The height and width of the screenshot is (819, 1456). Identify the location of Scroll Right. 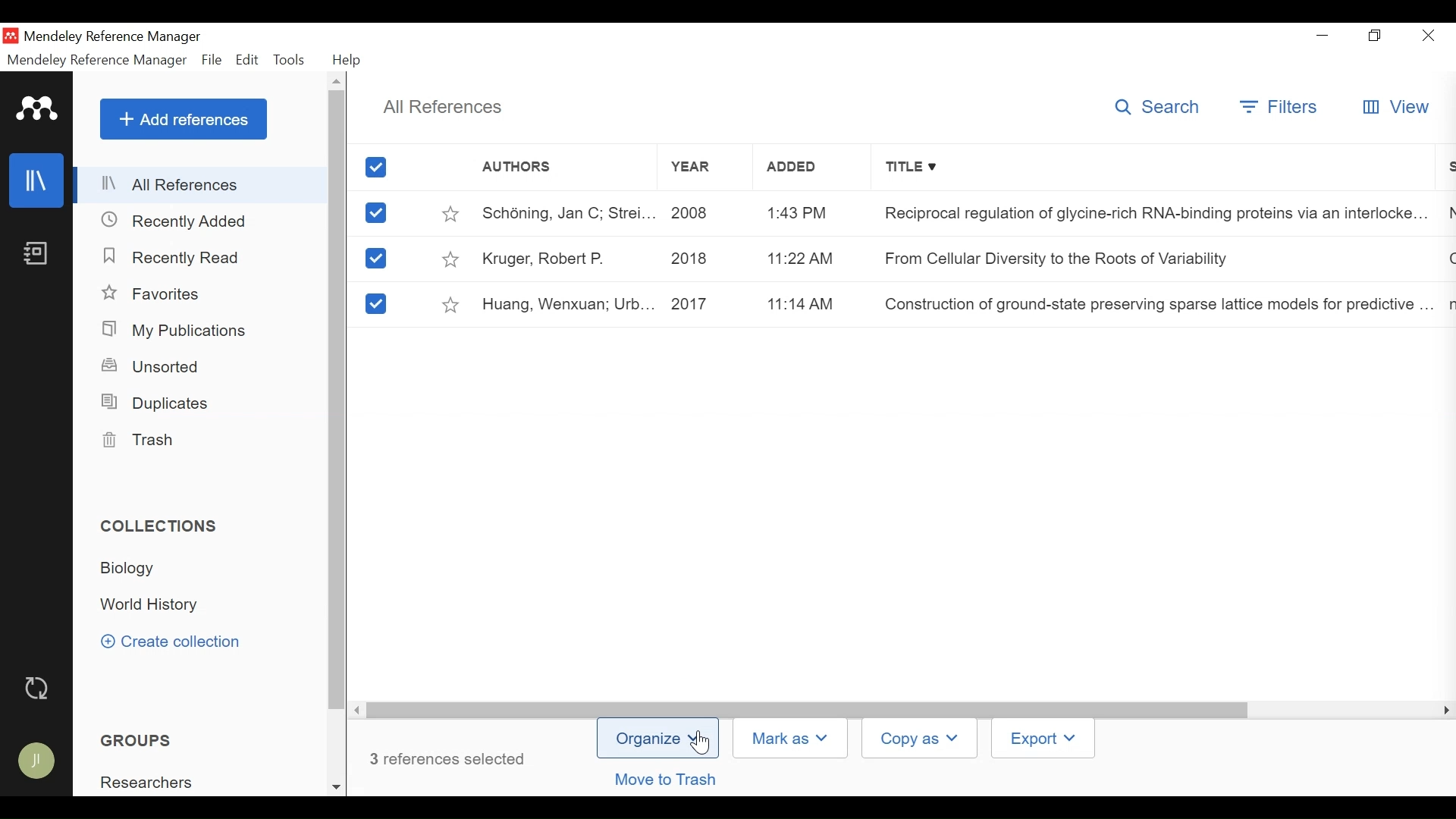
(358, 710).